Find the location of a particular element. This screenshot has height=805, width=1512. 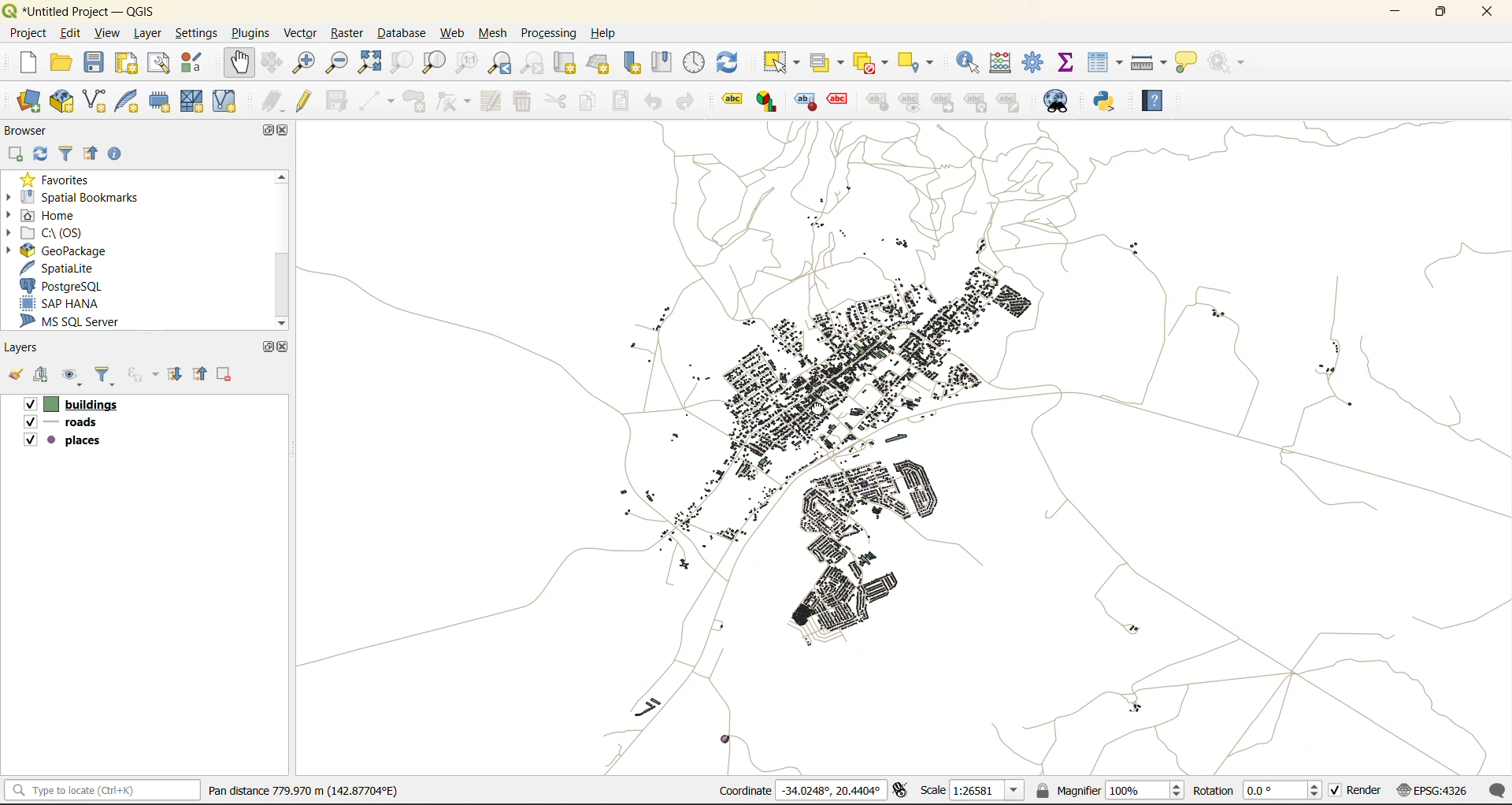

raster is located at coordinates (347, 33).